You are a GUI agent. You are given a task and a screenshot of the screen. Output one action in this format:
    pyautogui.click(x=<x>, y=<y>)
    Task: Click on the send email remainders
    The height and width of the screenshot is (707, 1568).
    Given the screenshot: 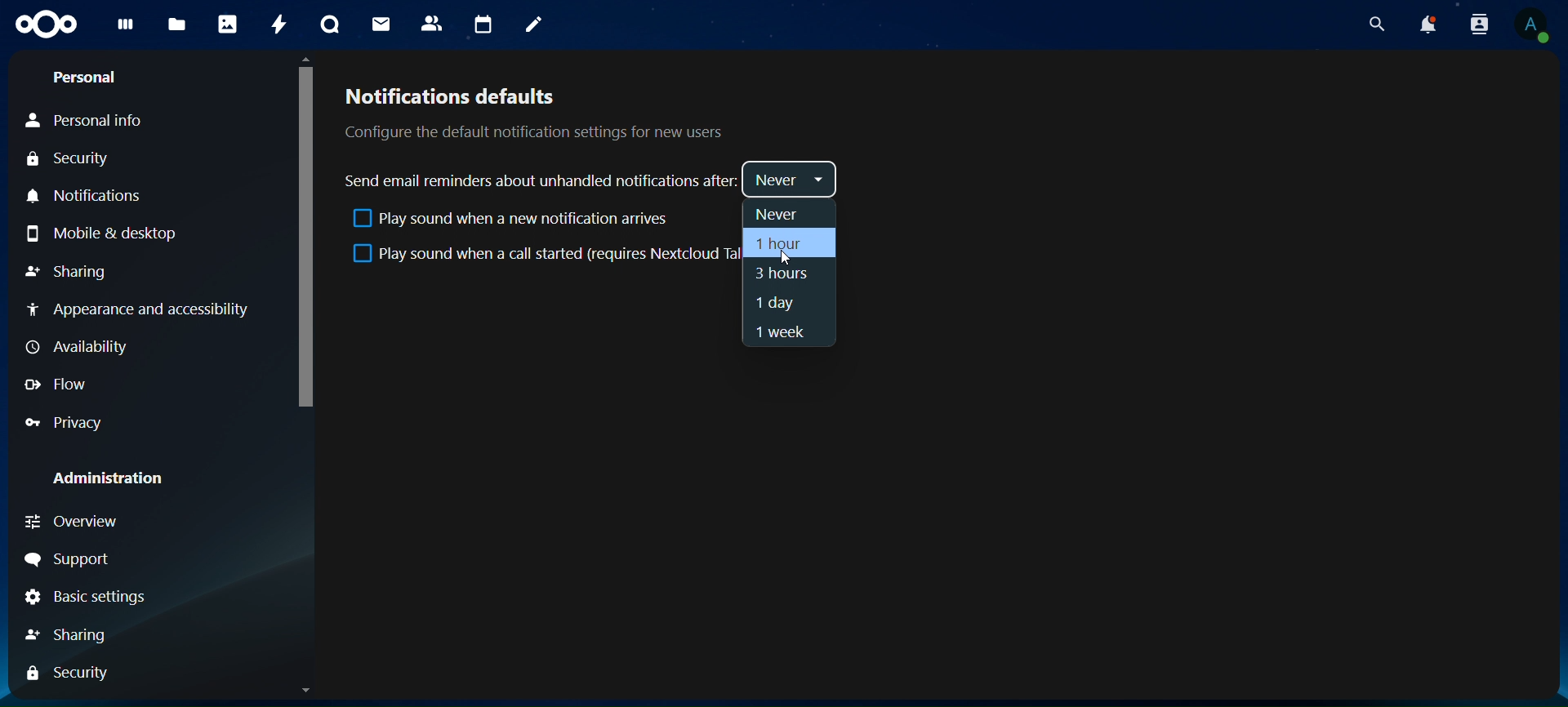 What is the action you would take?
    pyautogui.click(x=542, y=180)
    